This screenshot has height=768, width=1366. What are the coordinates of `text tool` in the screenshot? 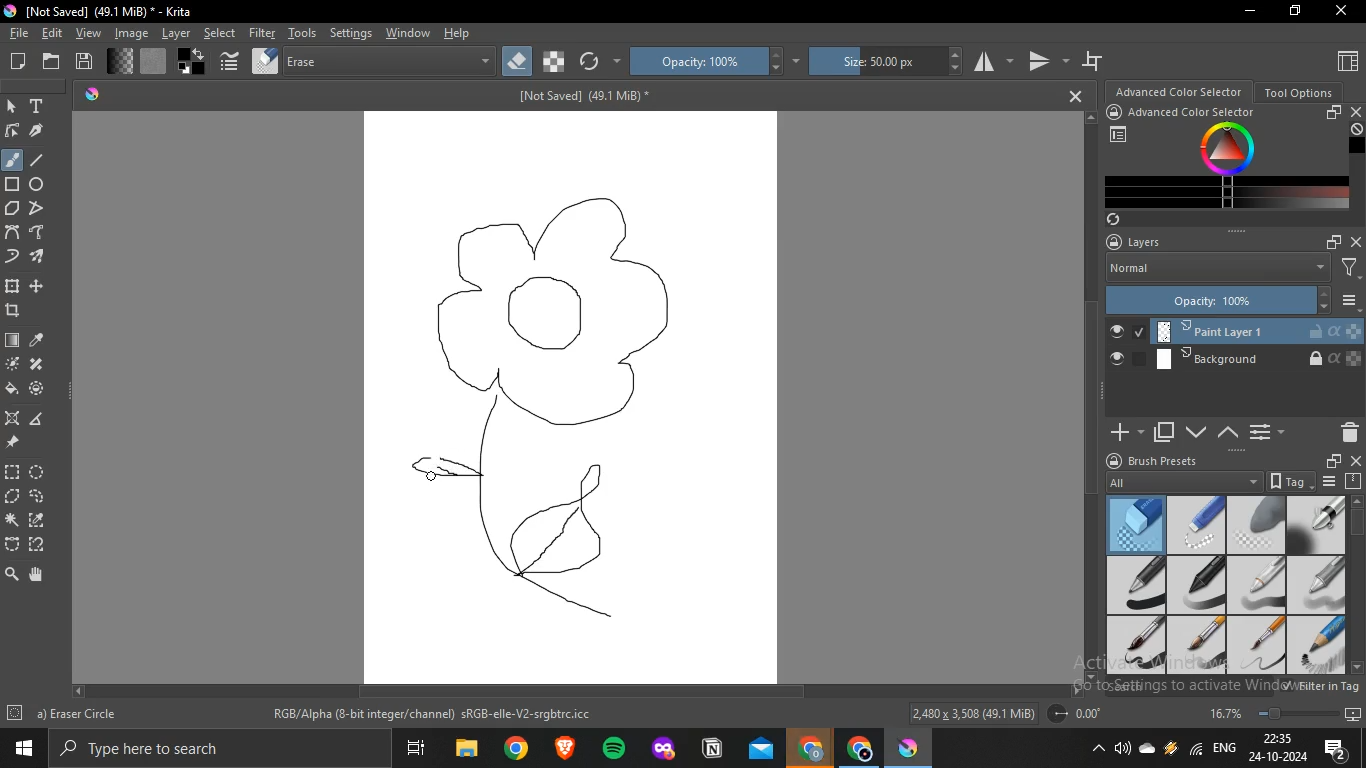 It's located at (38, 105).